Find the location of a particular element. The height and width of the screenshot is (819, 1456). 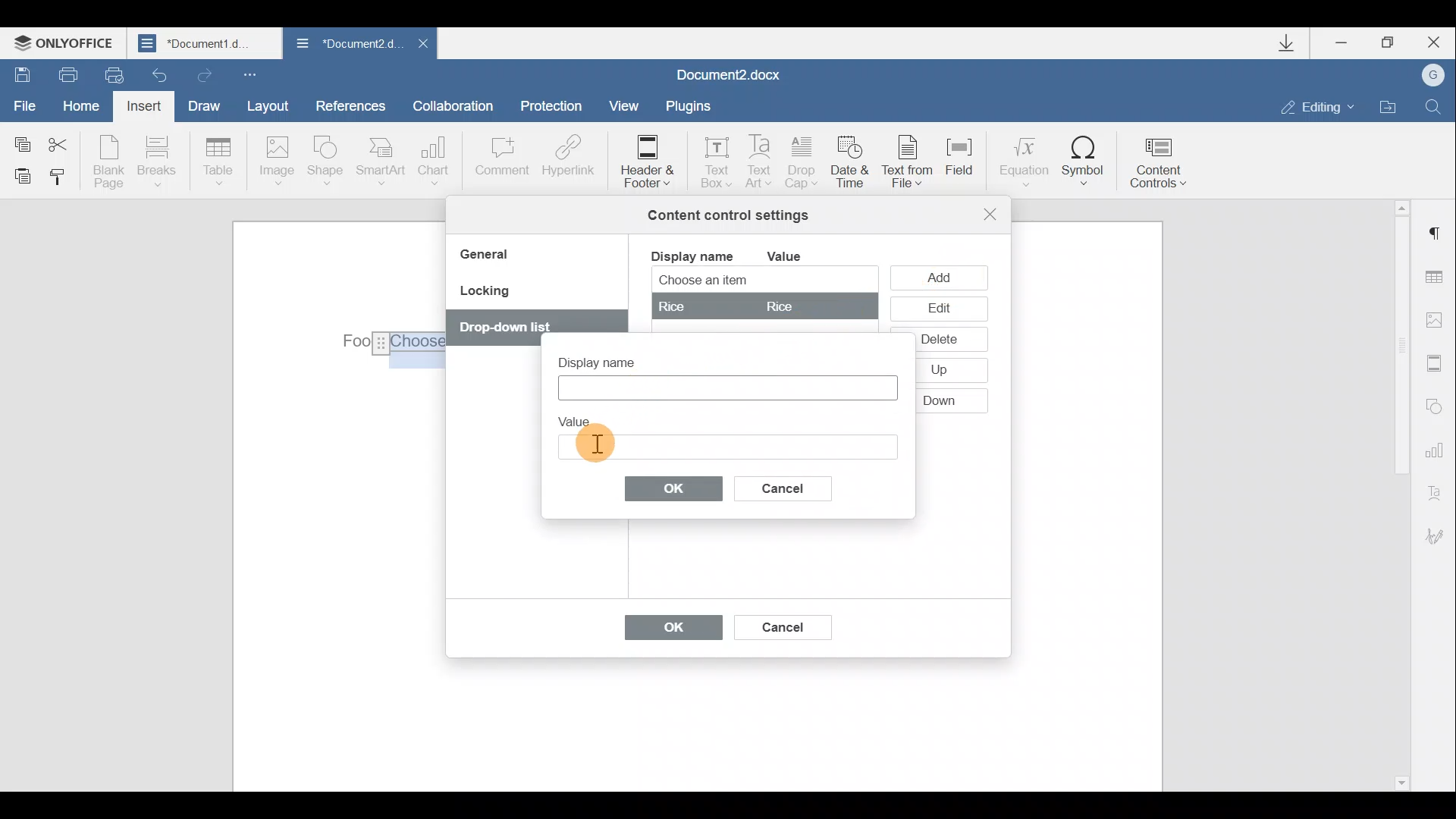

Text box is located at coordinates (726, 444).